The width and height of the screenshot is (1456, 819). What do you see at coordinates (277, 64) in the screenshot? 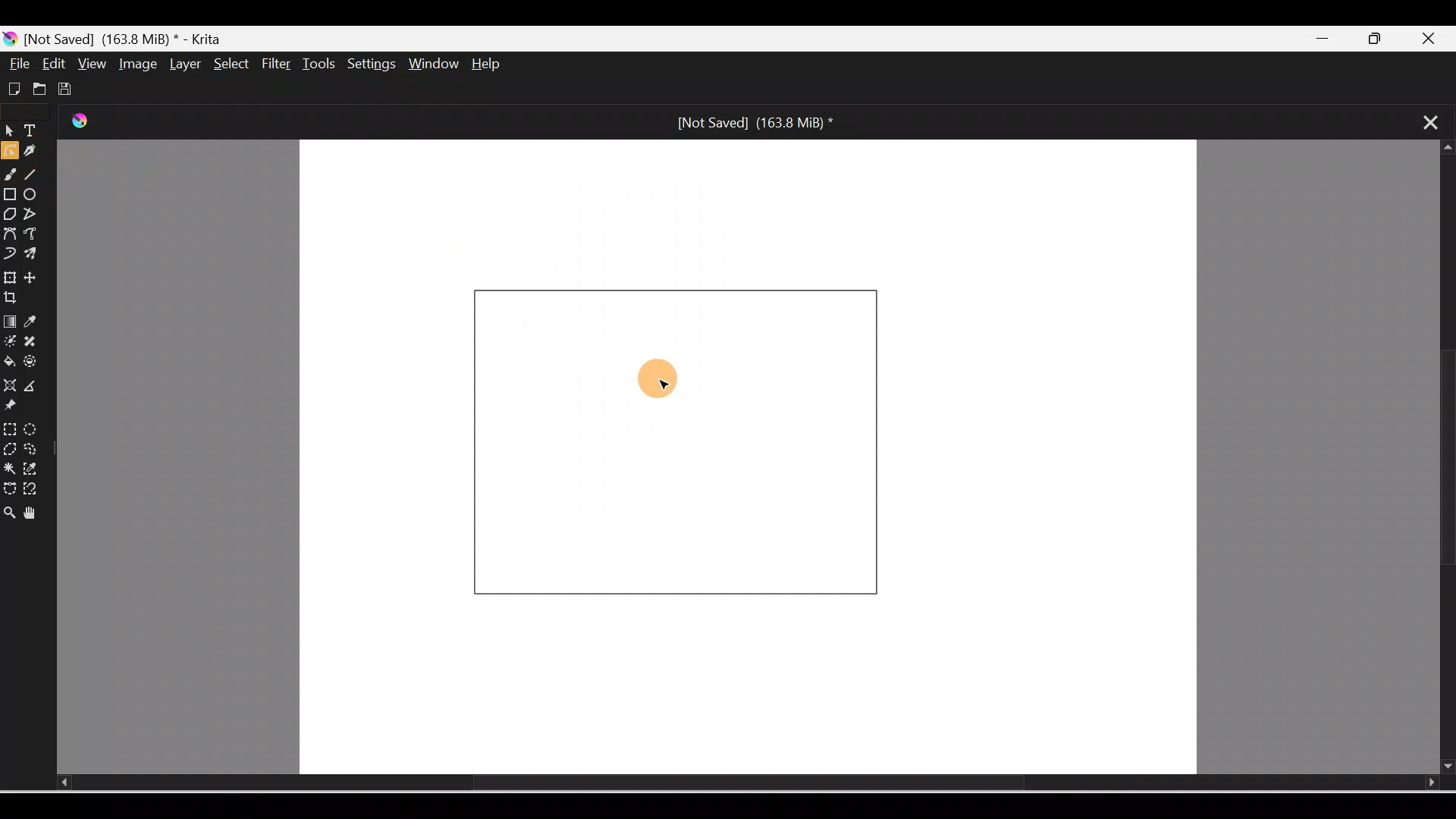
I see `Filter` at bounding box center [277, 64].